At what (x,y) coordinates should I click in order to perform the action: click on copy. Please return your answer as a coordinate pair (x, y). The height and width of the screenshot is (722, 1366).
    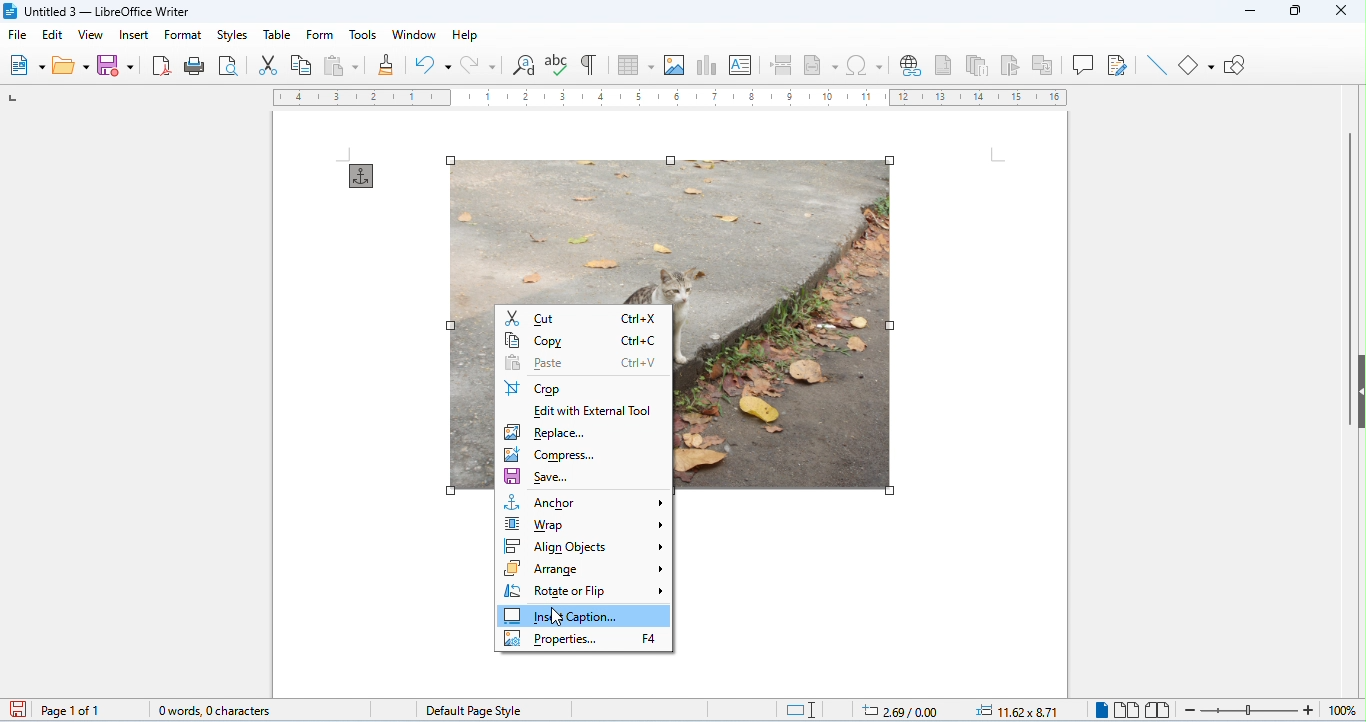
    Looking at the image, I should click on (302, 66).